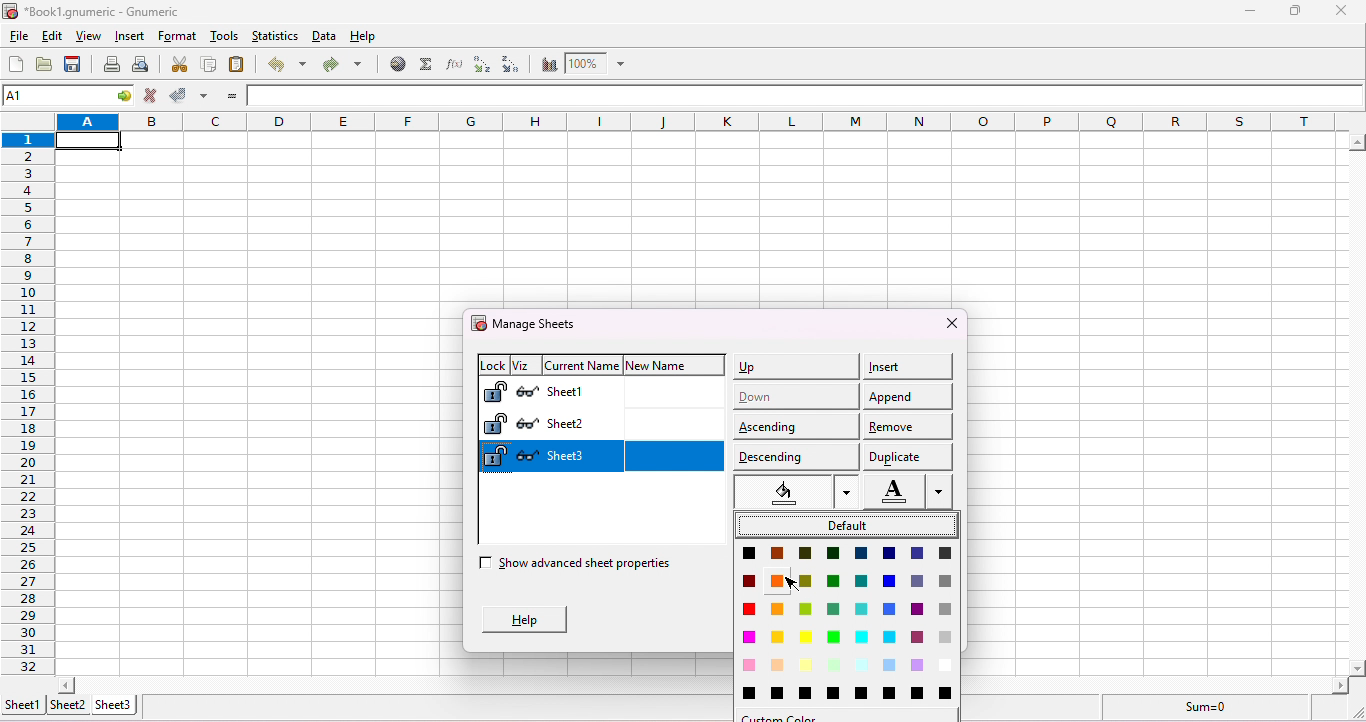 Image resolution: width=1366 pixels, height=722 pixels. I want to click on file, so click(18, 35).